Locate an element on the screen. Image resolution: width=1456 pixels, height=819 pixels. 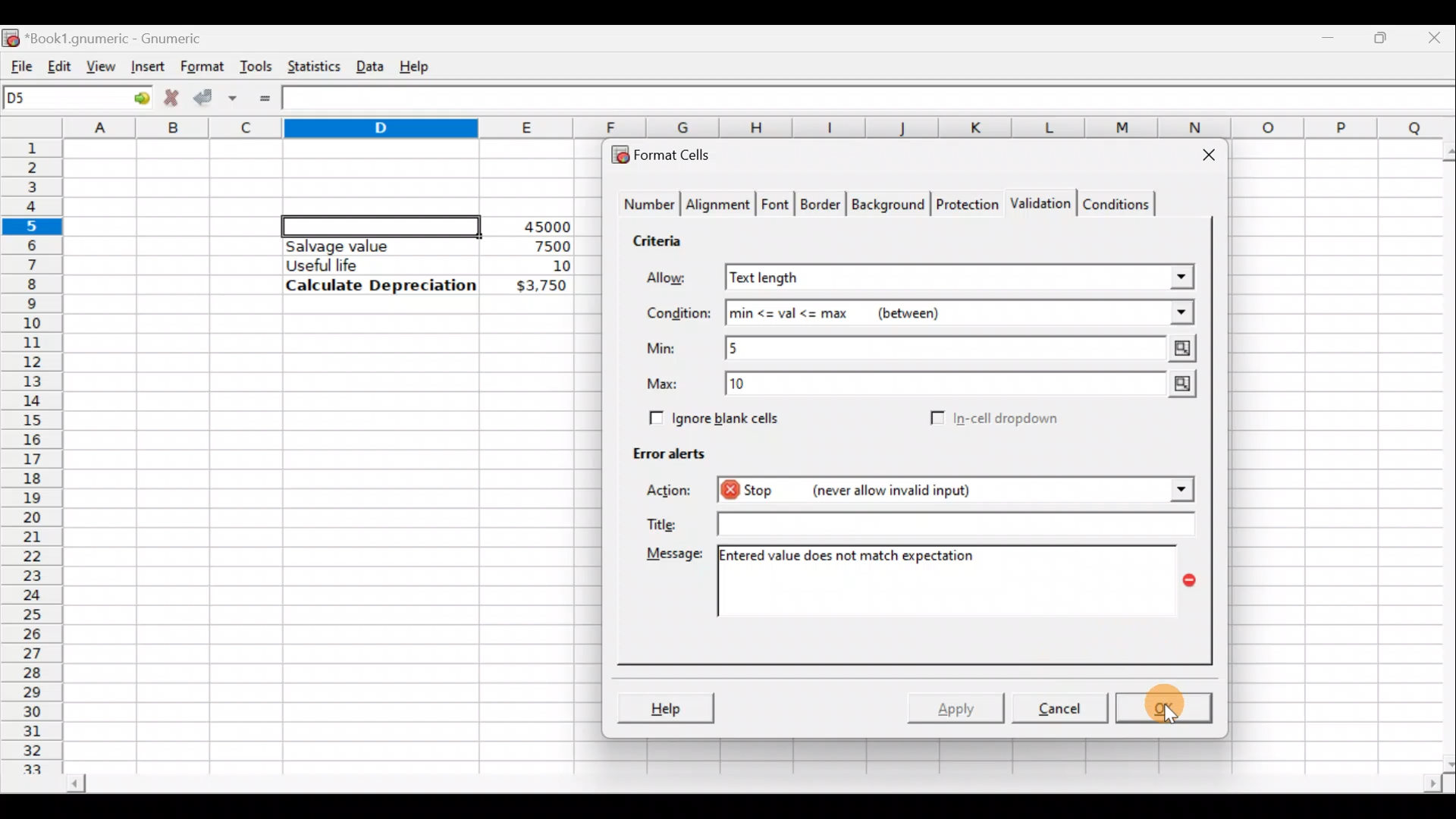
Max is located at coordinates (668, 384).